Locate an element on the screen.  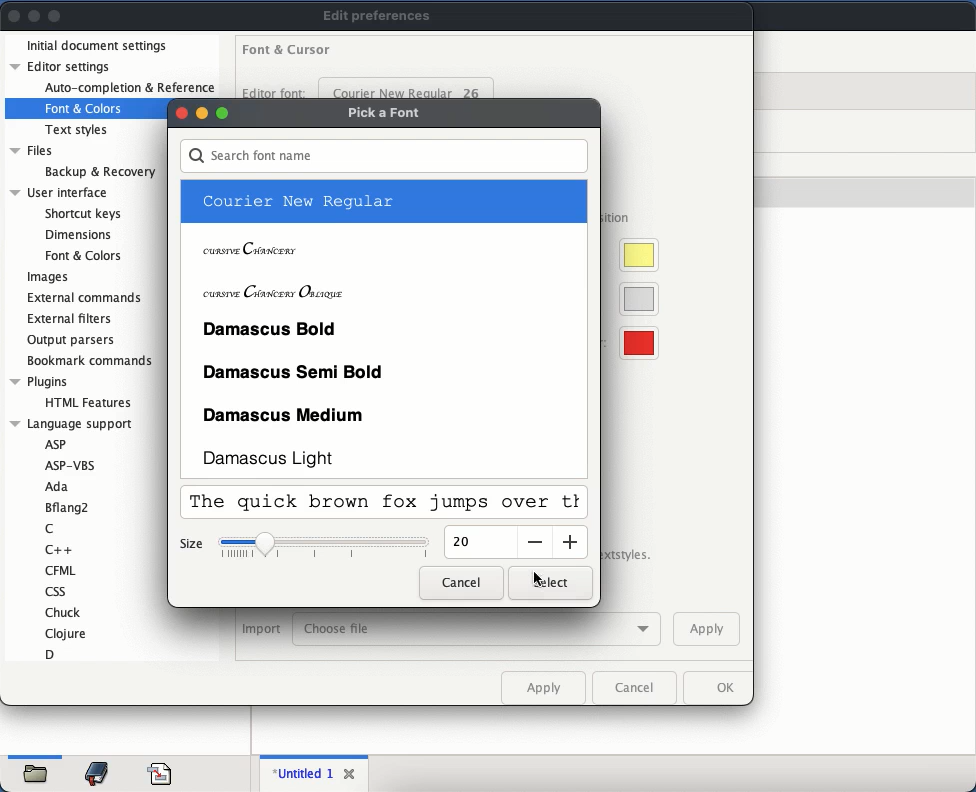
preview is located at coordinates (385, 504).